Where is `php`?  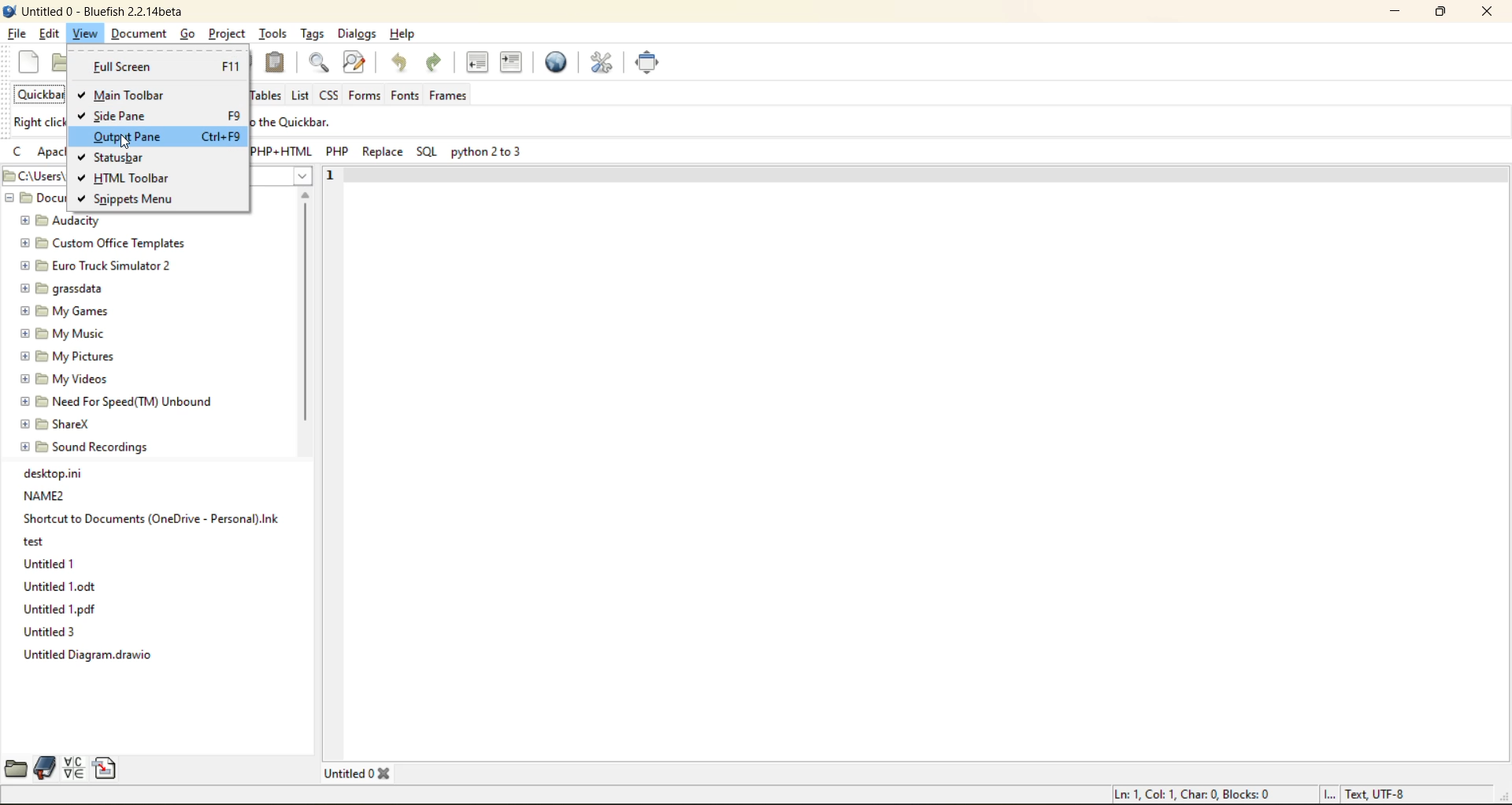
php is located at coordinates (339, 152).